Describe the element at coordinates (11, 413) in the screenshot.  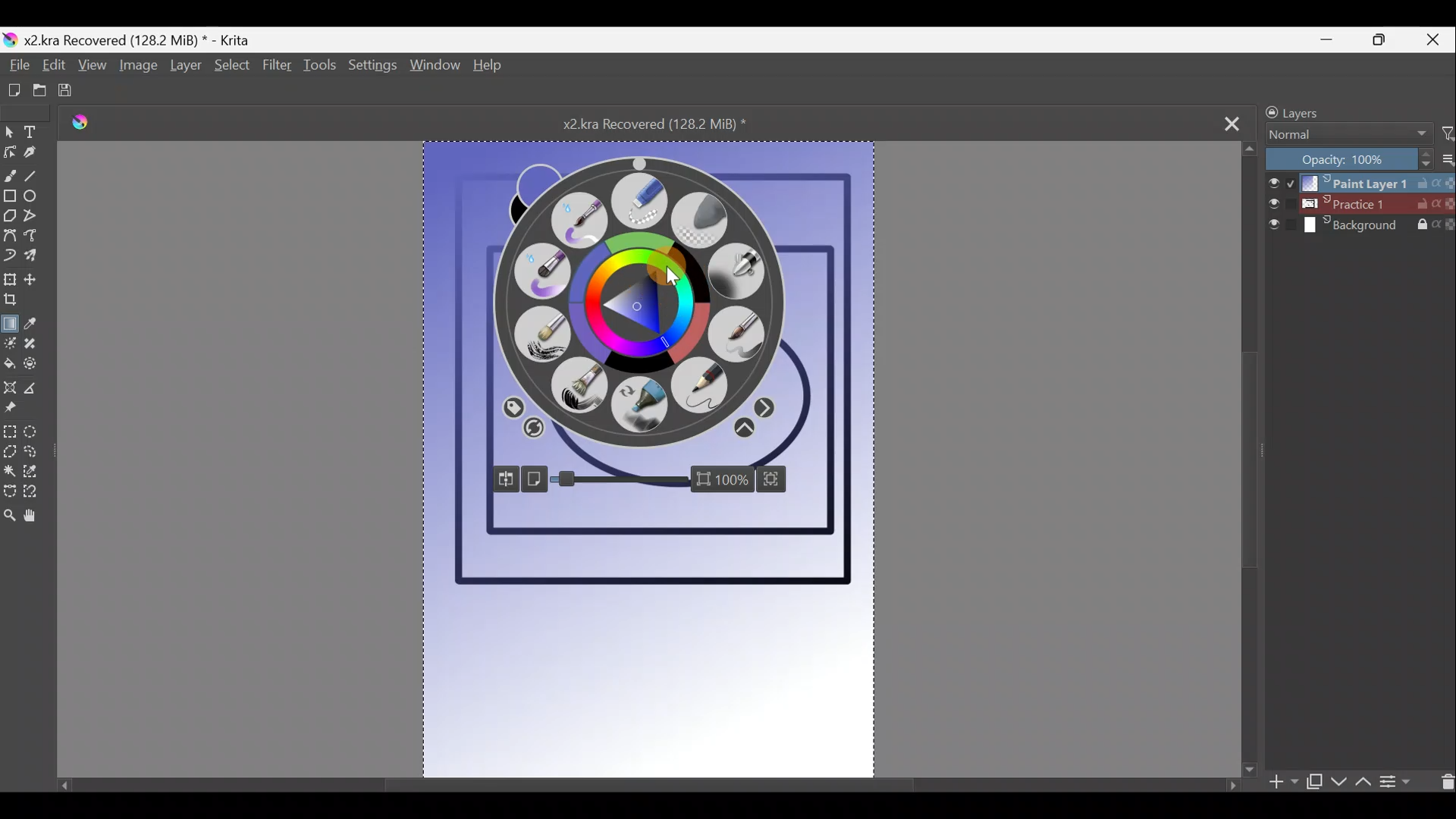
I see `Reference images tool` at that location.